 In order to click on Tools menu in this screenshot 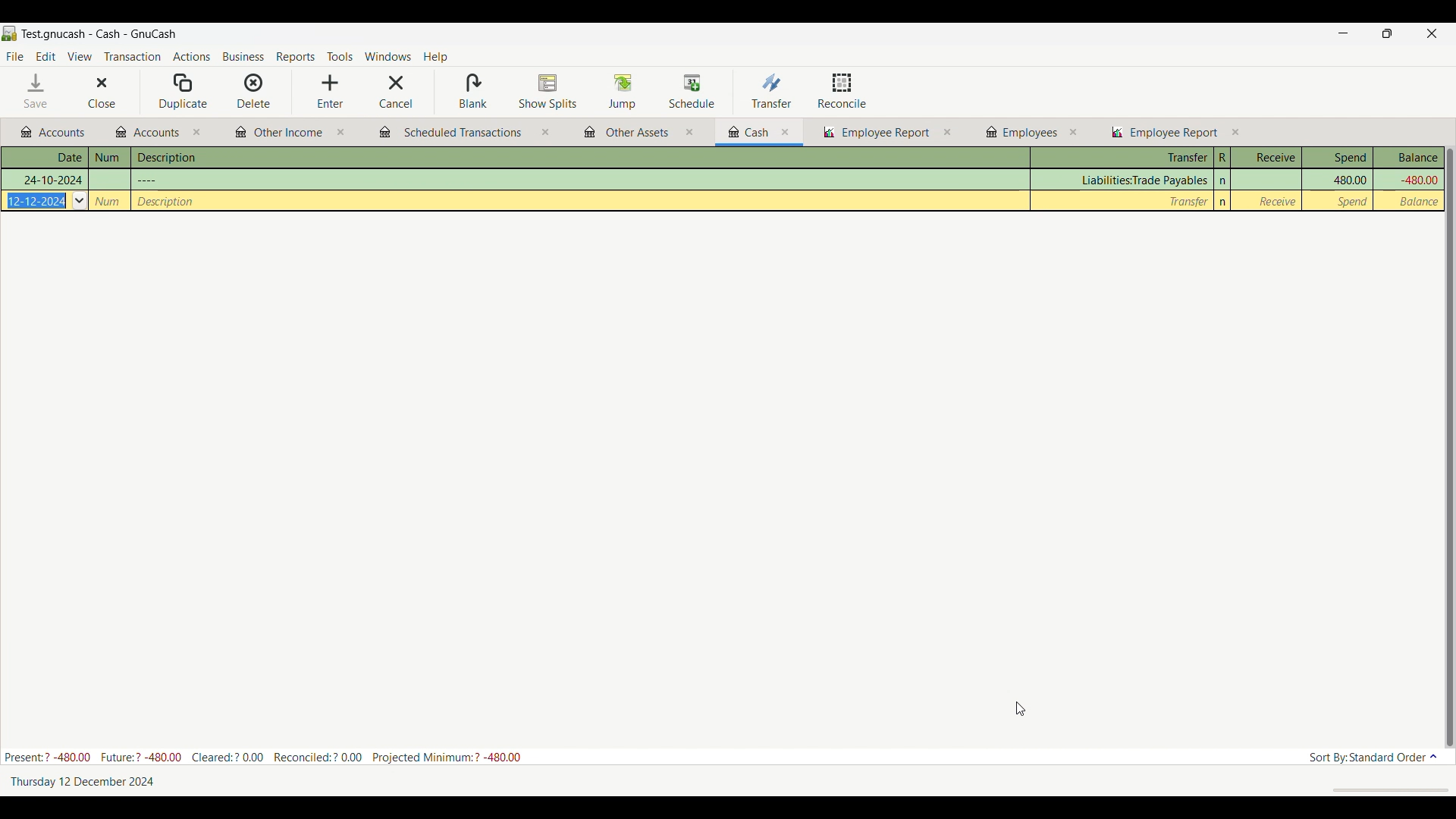, I will do `click(340, 56)`.